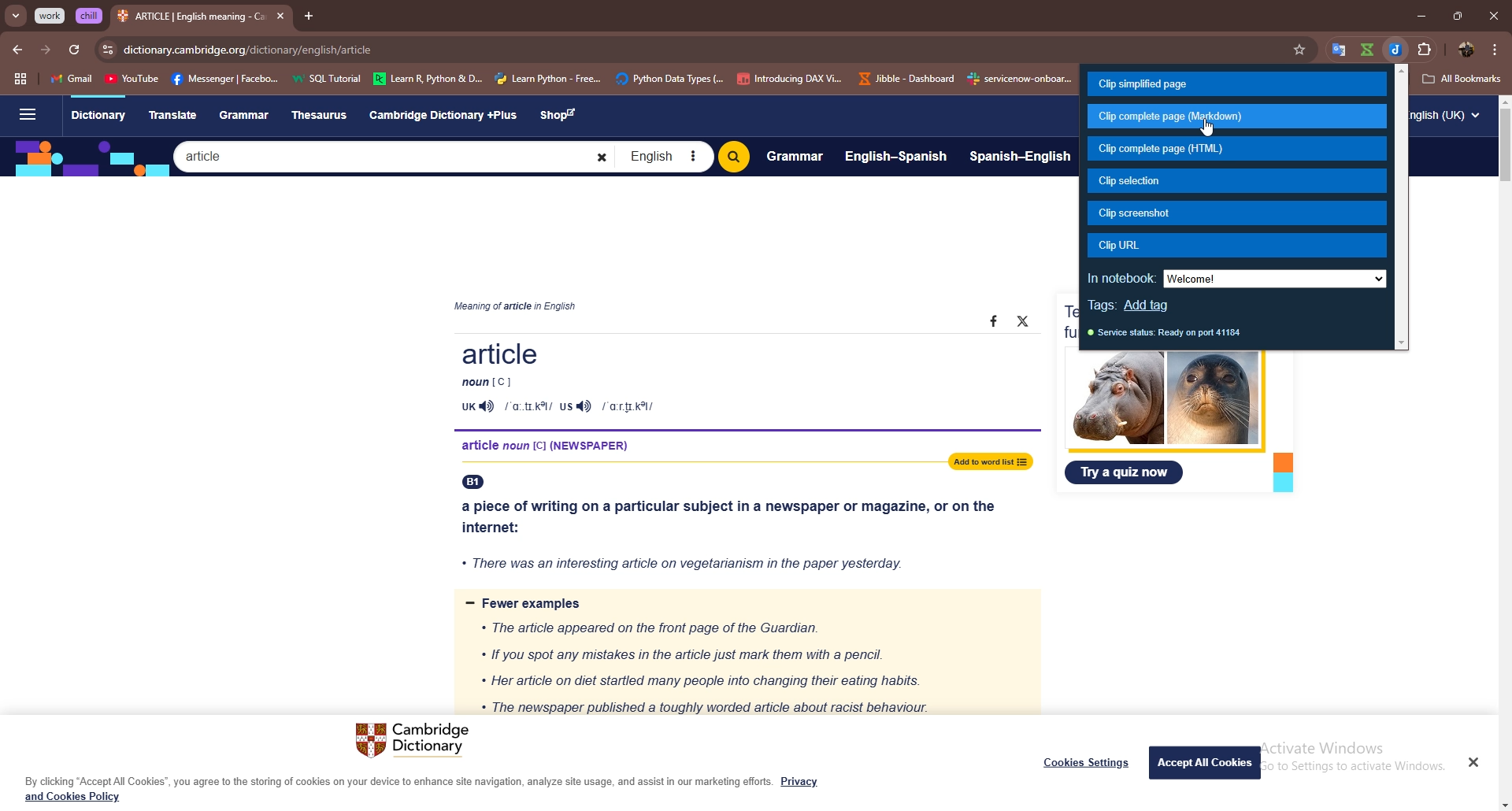 The width and height of the screenshot is (1512, 811). I want to click on back, so click(17, 50).